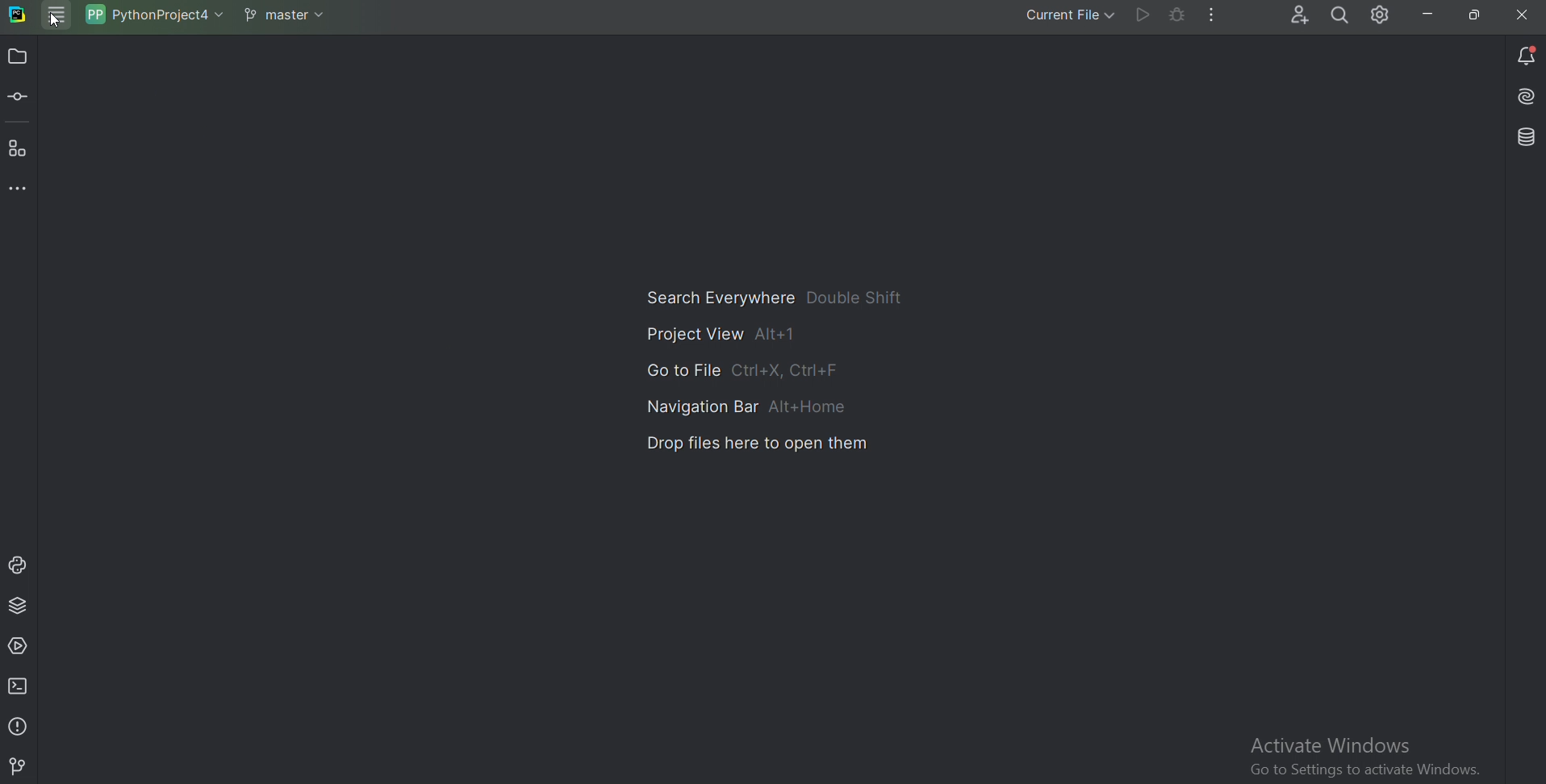 This screenshot has width=1546, height=784. What do you see at coordinates (21, 607) in the screenshot?
I see `Python package` at bounding box center [21, 607].